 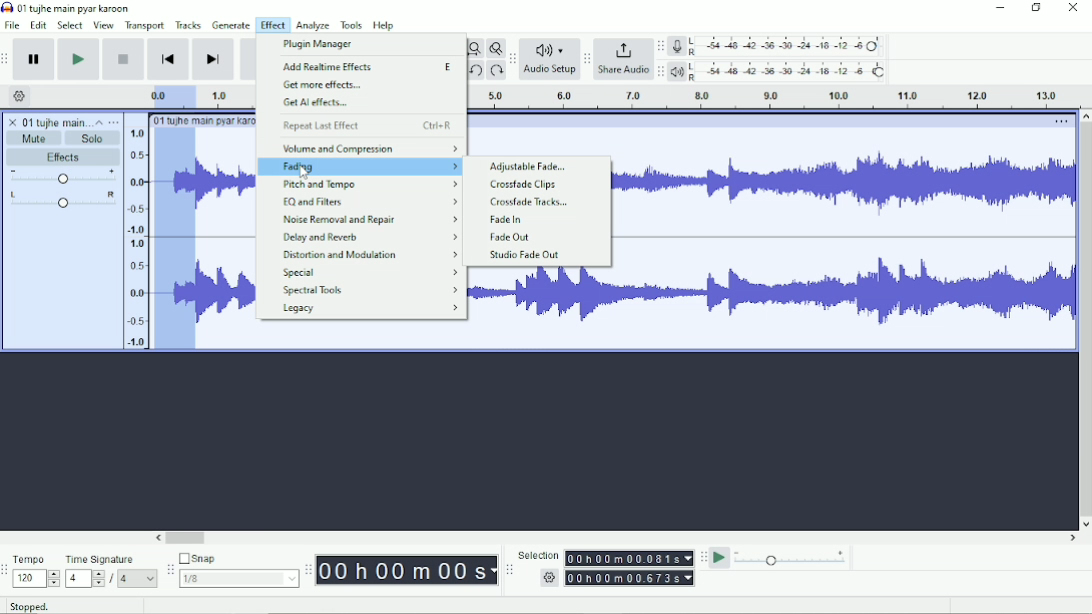 What do you see at coordinates (495, 48) in the screenshot?
I see `Zoom toggle` at bounding box center [495, 48].